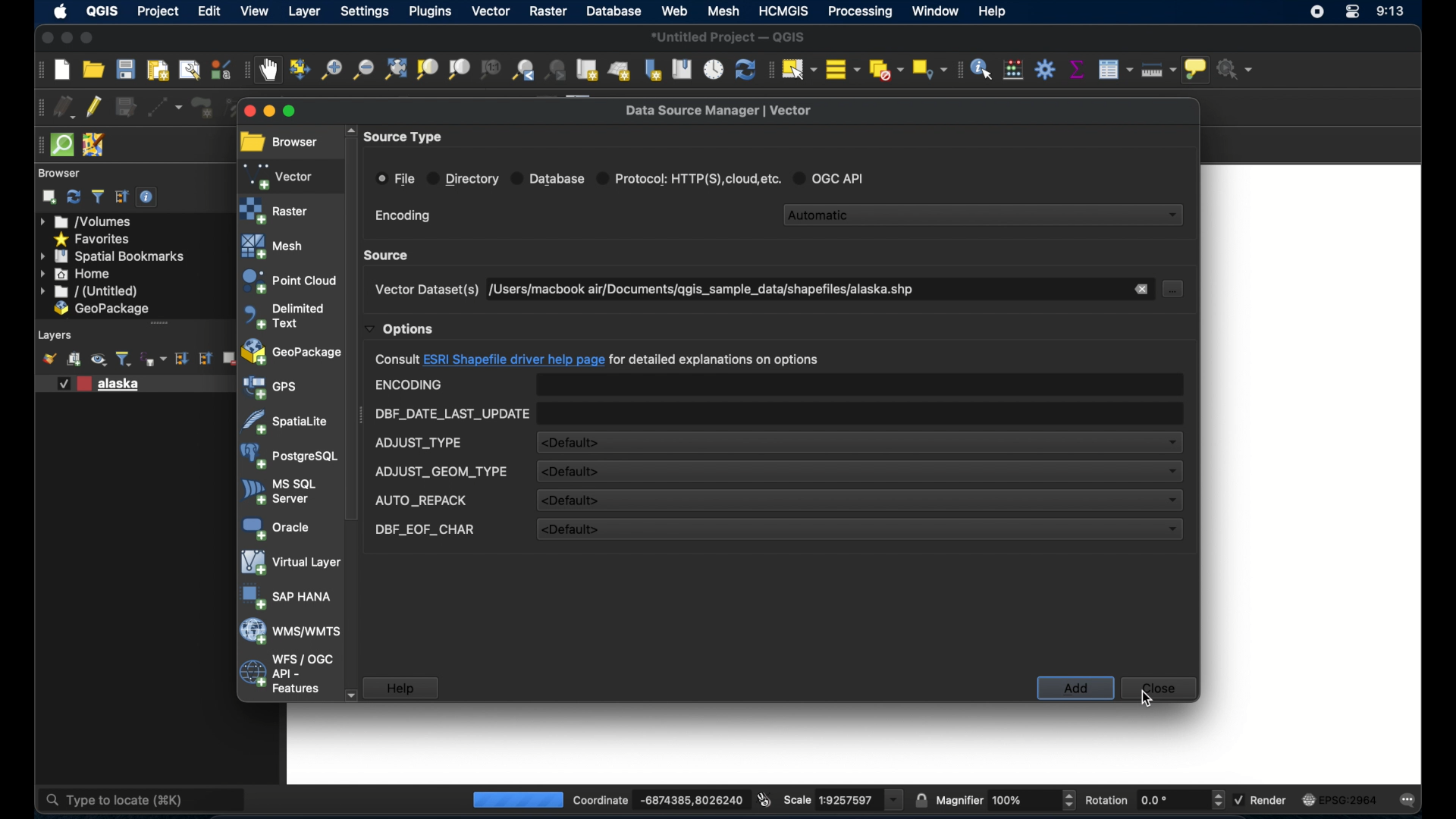 The image size is (1456, 819). What do you see at coordinates (286, 674) in the screenshot?
I see `wfs/ogc api - features` at bounding box center [286, 674].